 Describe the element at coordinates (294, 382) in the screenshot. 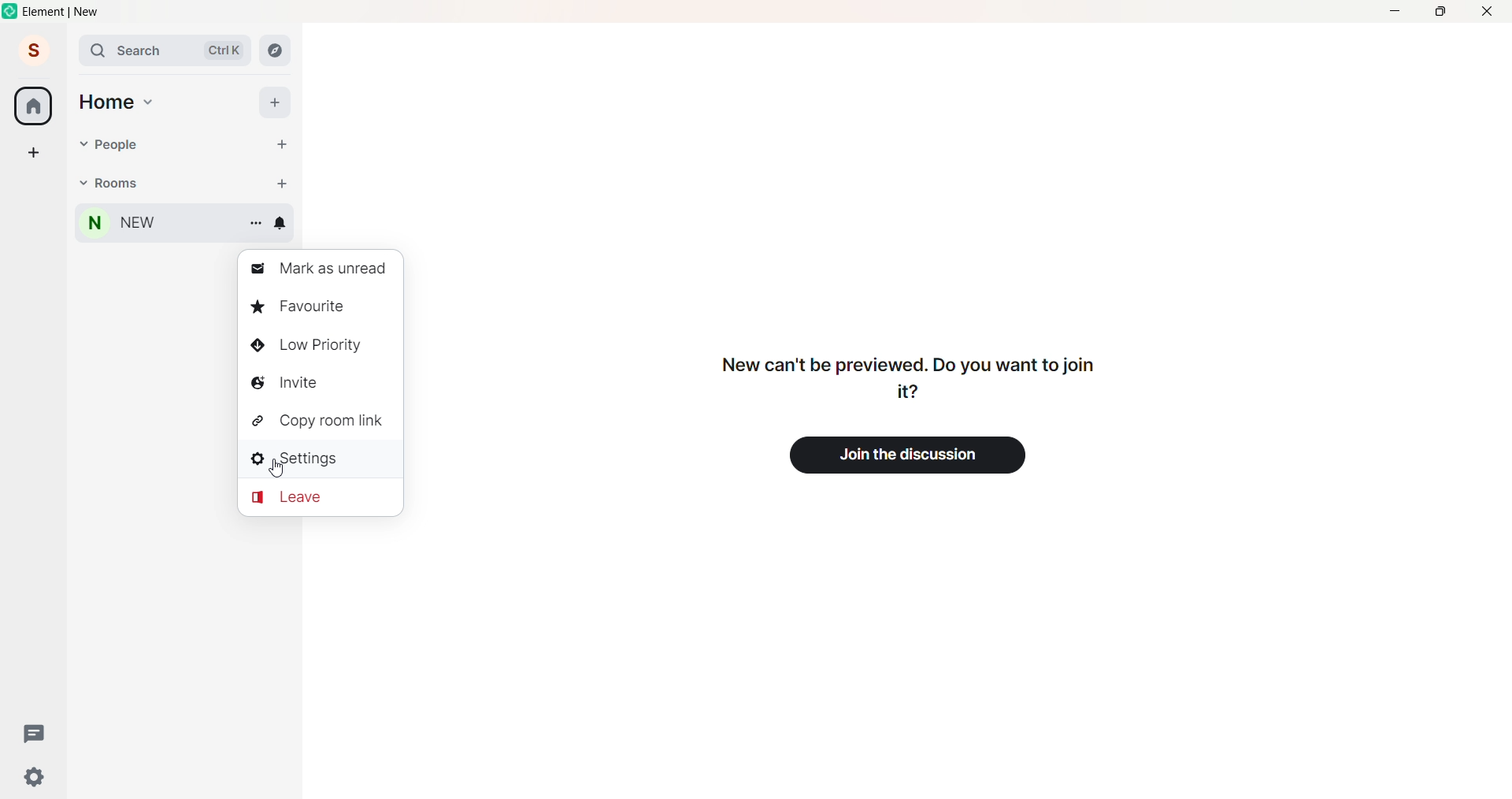

I see `invite` at that location.